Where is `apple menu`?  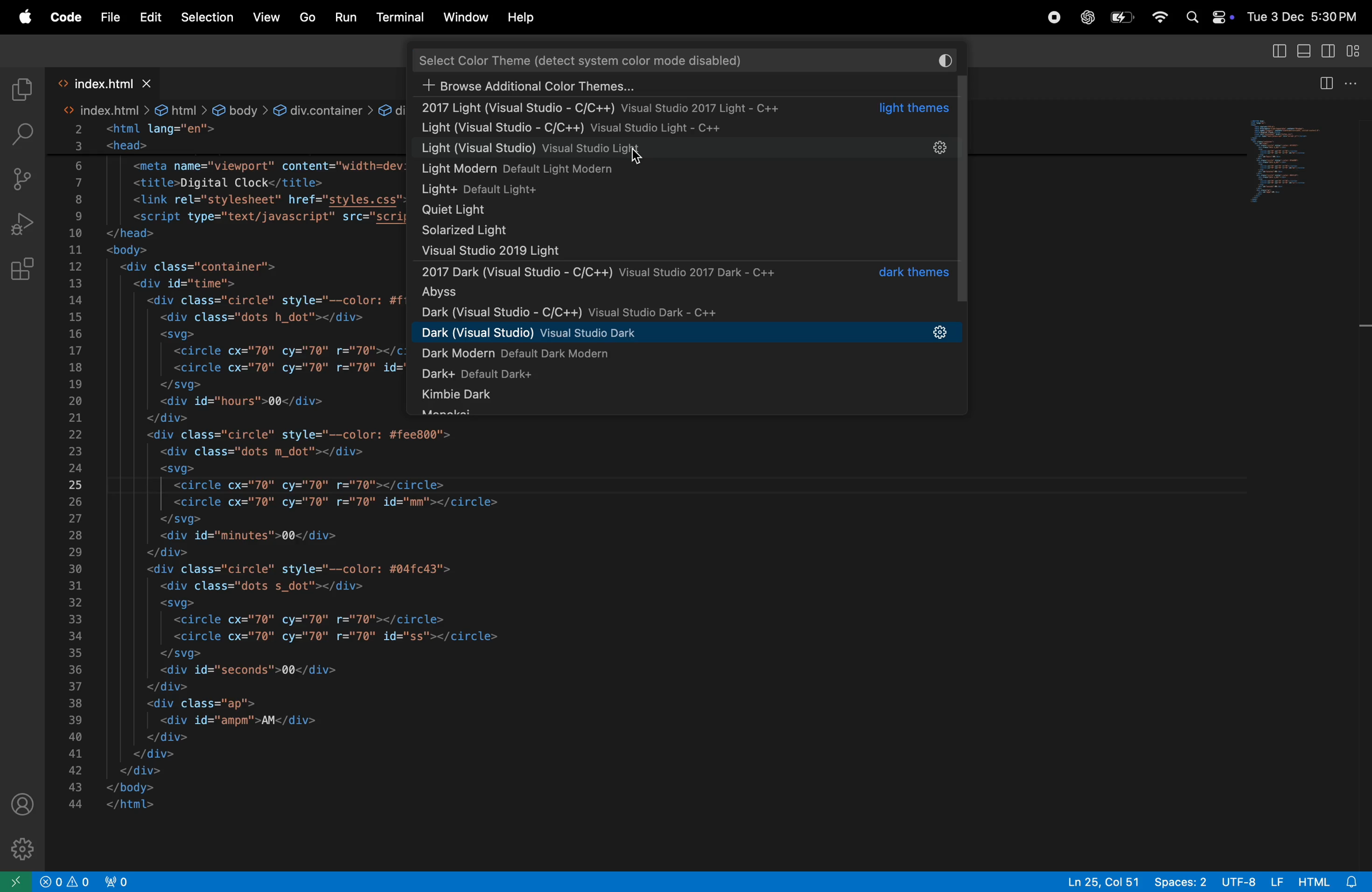 apple menu is located at coordinates (24, 18).